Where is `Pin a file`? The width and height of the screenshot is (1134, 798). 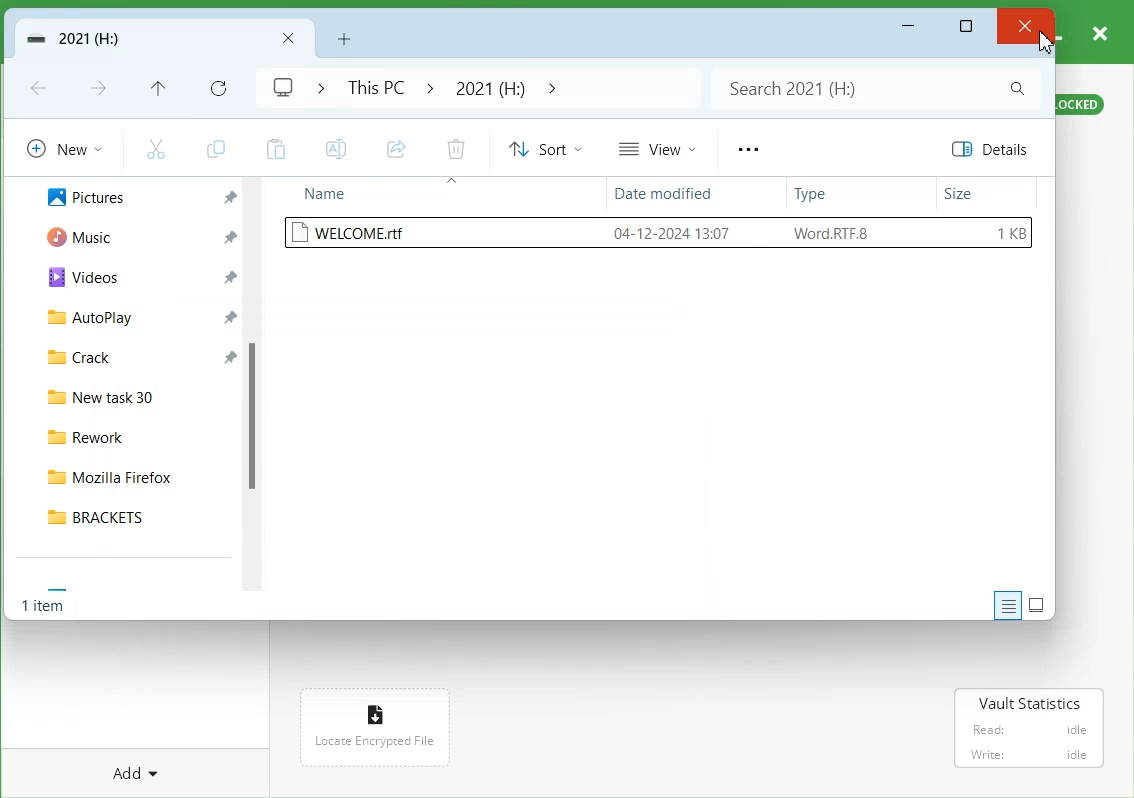
Pin a file is located at coordinates (231, 314).